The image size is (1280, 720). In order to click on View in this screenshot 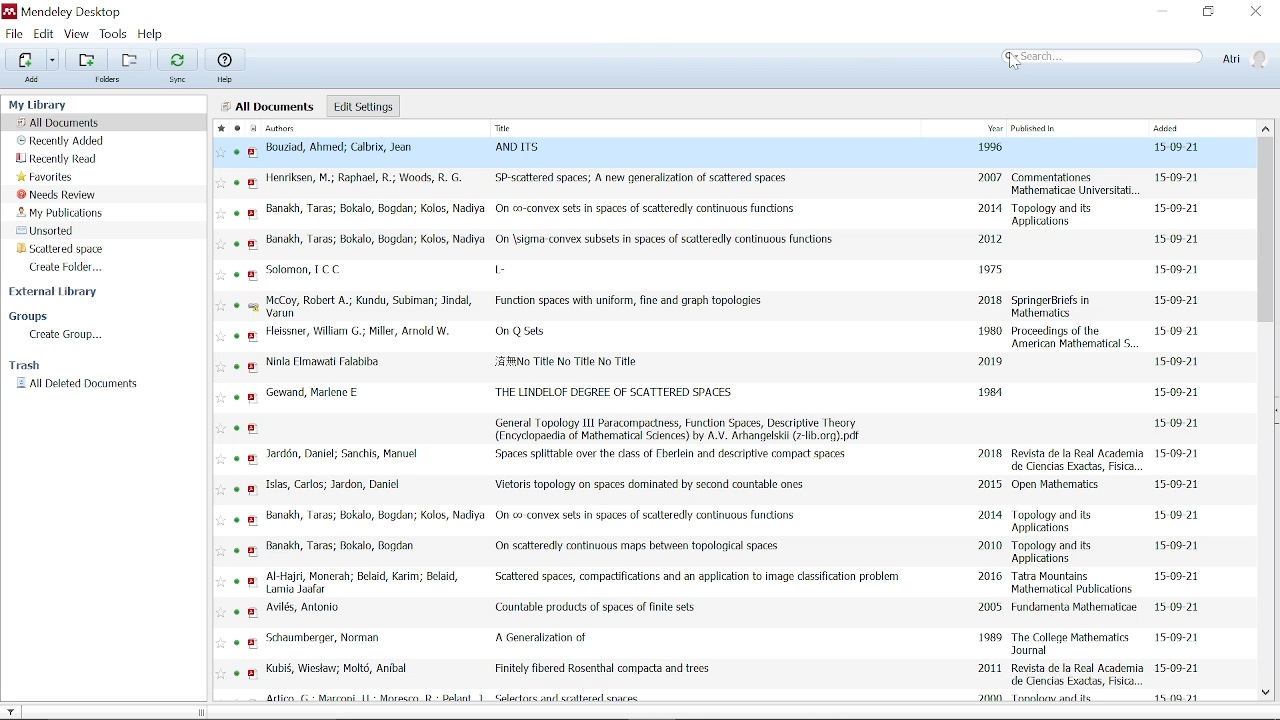, I will do `click(77, 34)`.